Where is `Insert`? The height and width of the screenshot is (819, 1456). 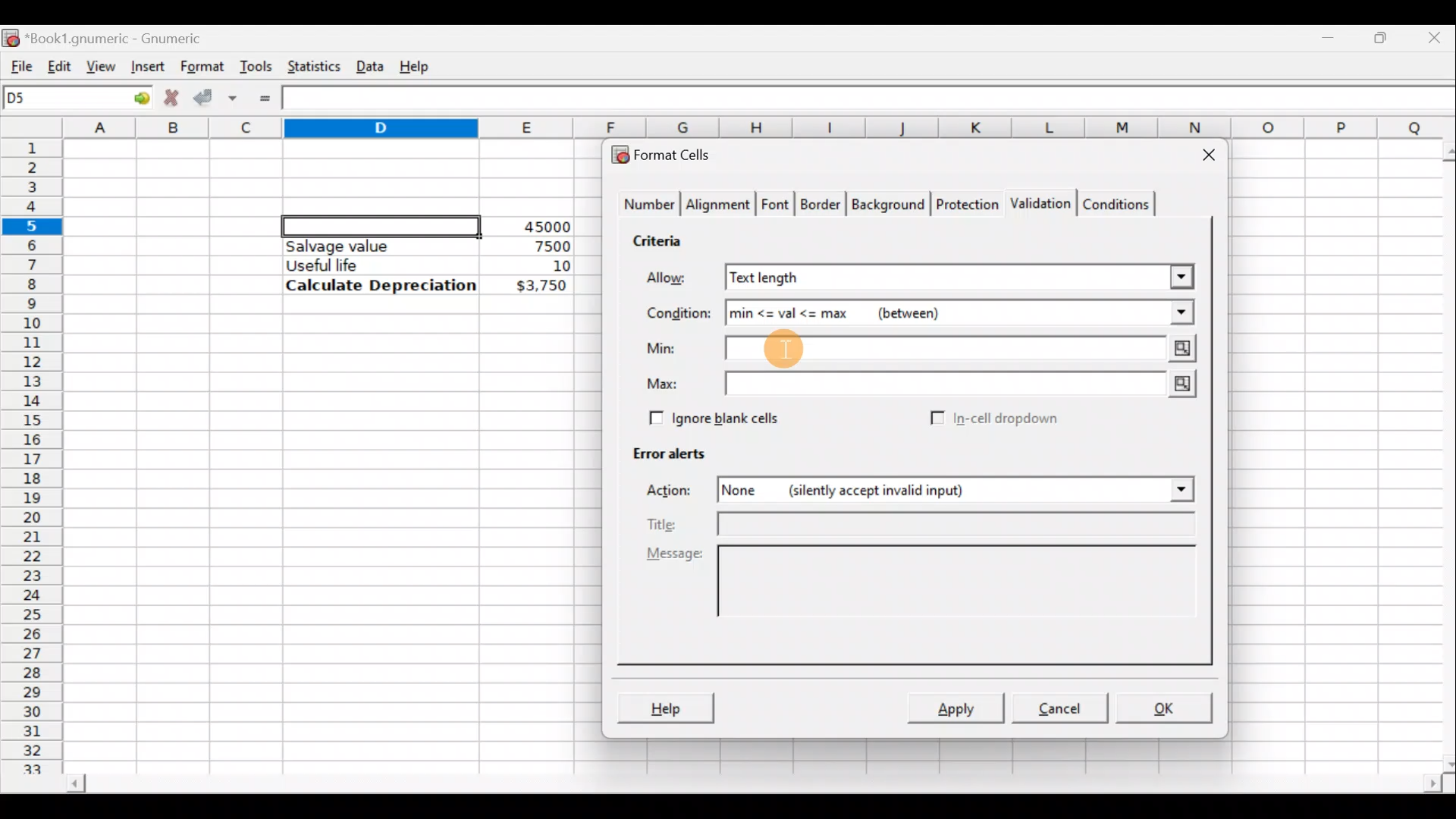 Insert is located at coordinates (146, 66).